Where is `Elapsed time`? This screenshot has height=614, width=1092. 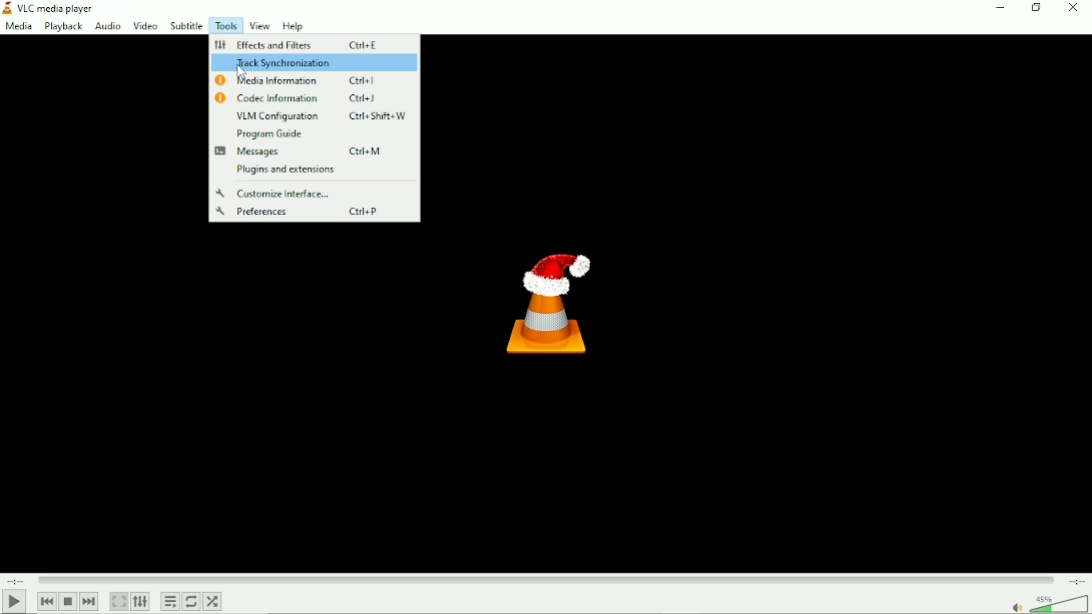 Elapsed time is located at coordinates (17, 580).